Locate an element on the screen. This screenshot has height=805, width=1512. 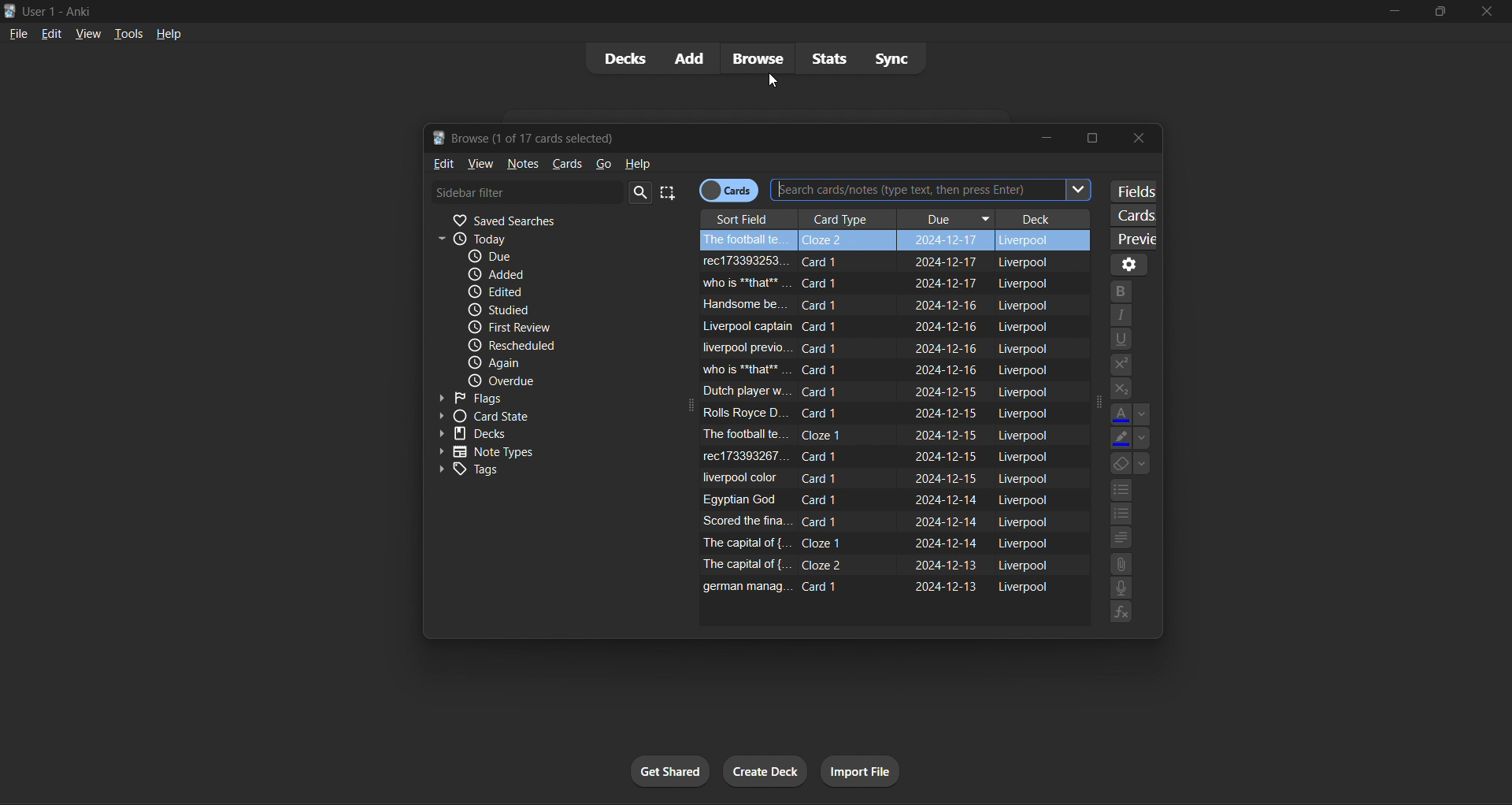
 is located at coordinates (911, 189).